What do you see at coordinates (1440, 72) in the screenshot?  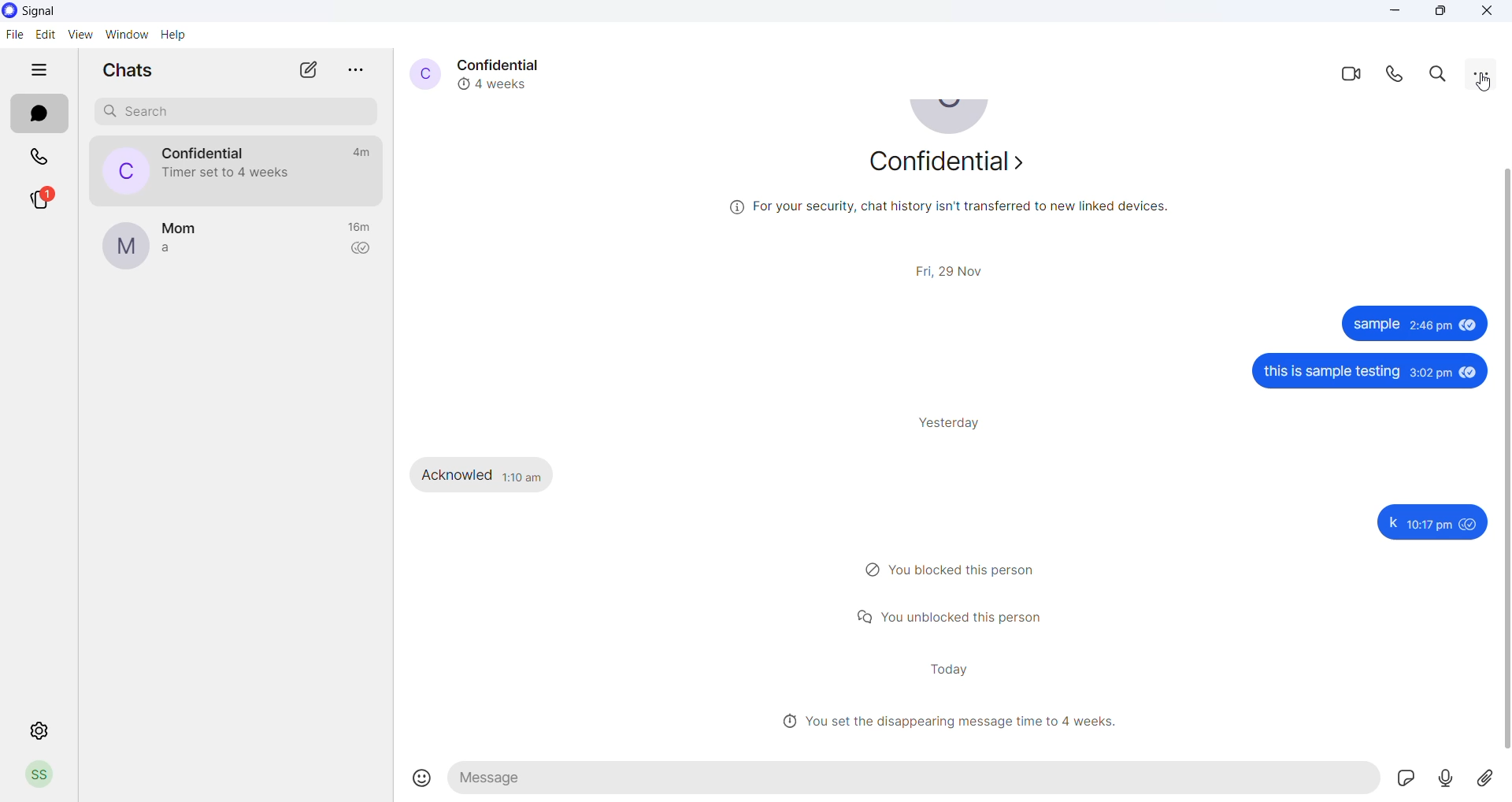 I see `search in messages` at bounding box center [1440, 72].